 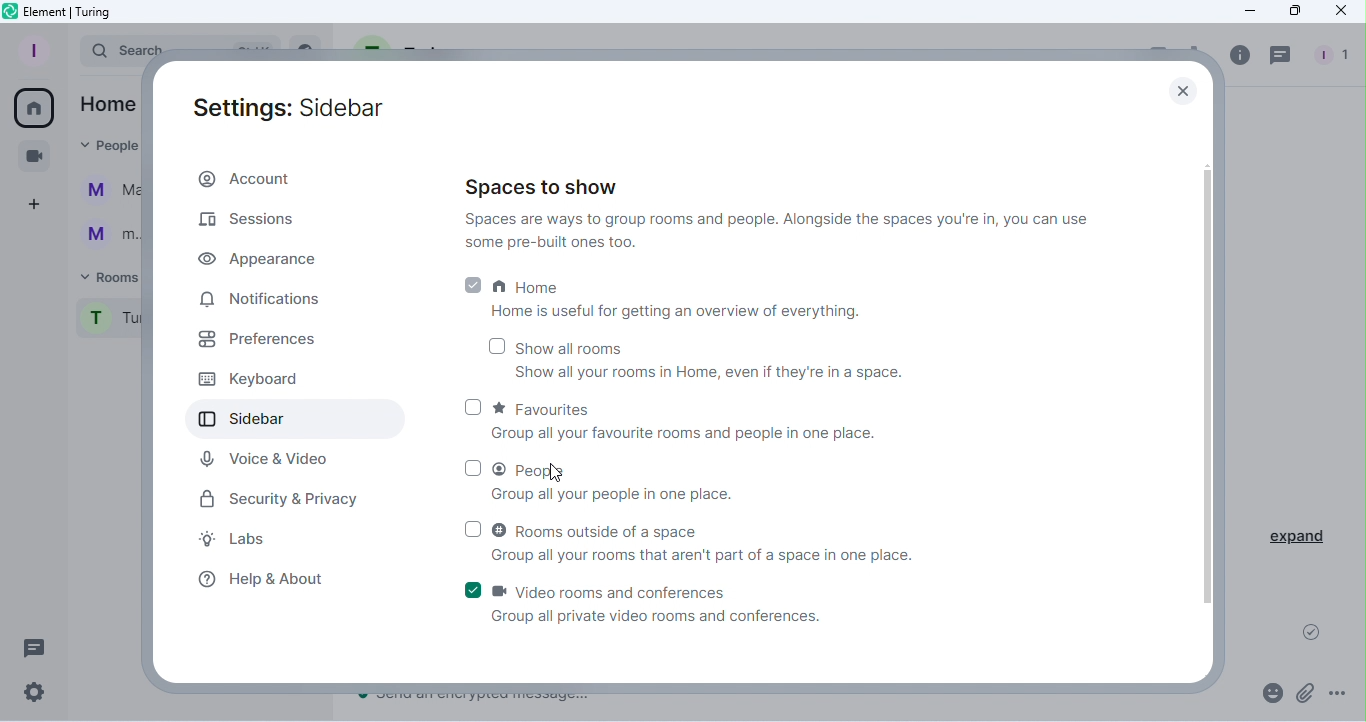 What do you see at coordinates (684, 358) in the screenshot?
I see `Show all rooms` at bounding box center [684, 358].